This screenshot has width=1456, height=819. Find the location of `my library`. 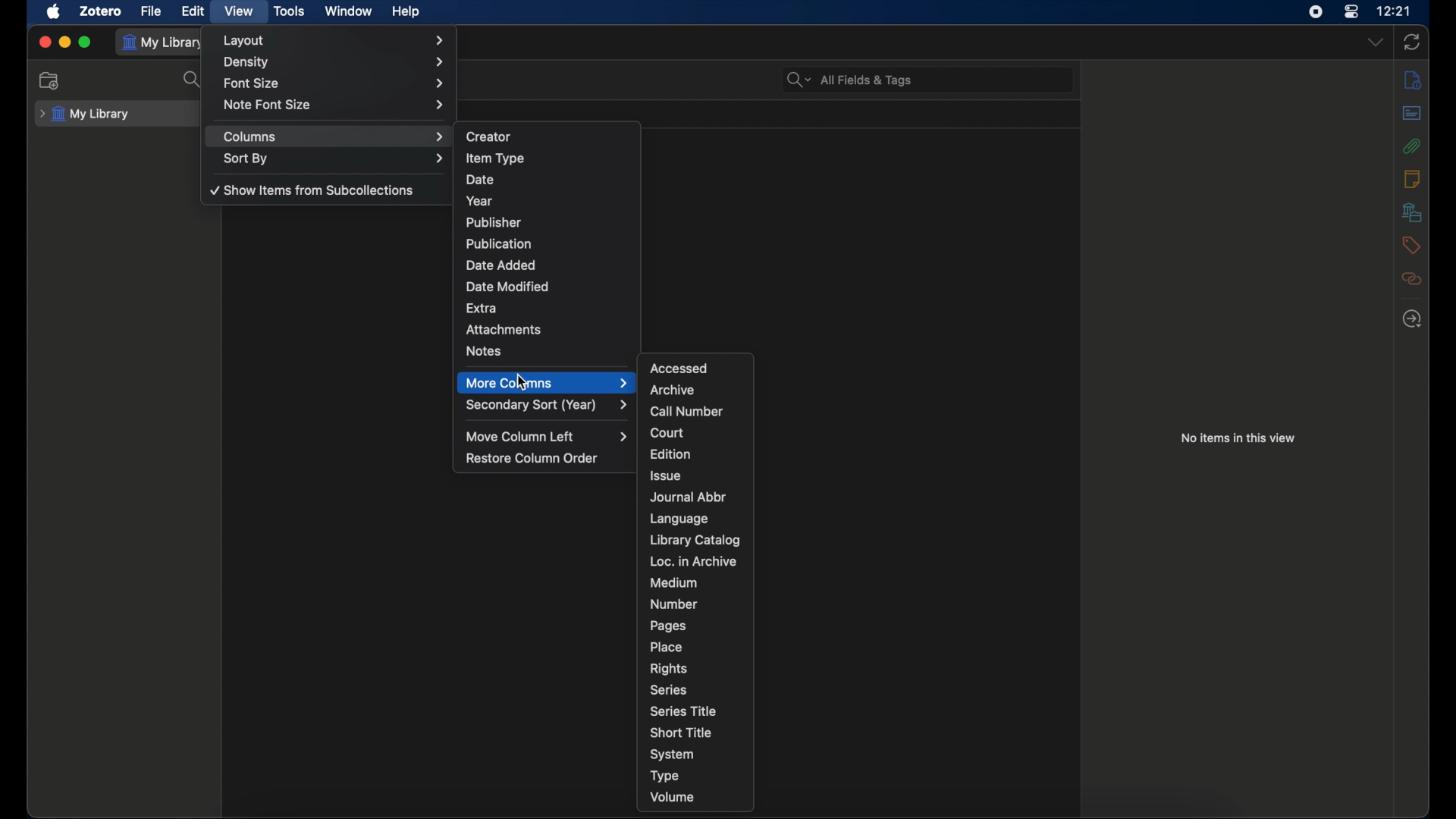

my library is located at coordinates (83, 115).